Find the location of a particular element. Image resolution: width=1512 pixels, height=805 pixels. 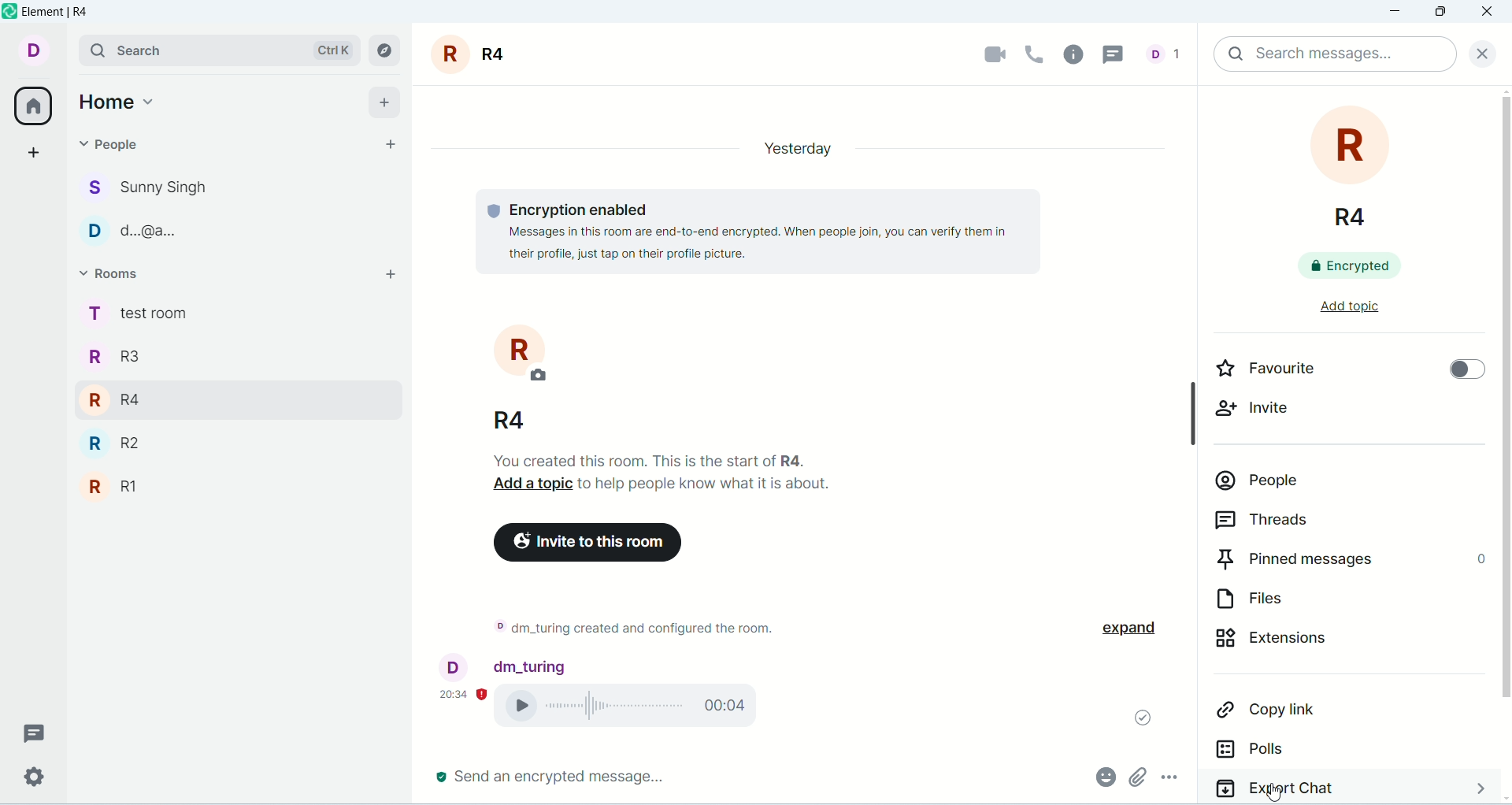

vertical scroll bar is located at coordinates (1503, 444).